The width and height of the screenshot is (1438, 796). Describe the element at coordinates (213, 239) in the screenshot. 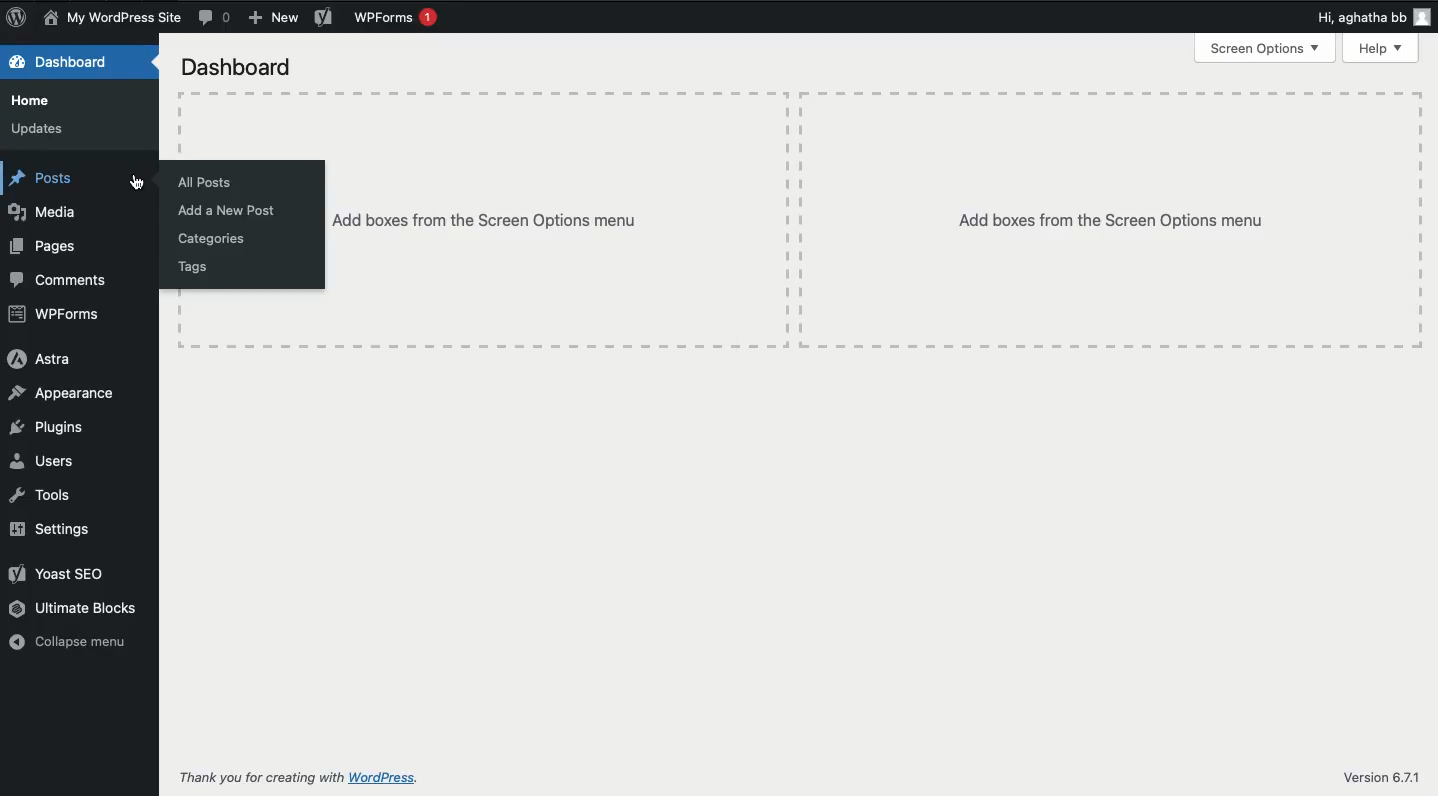

I see `Categories` at that location.